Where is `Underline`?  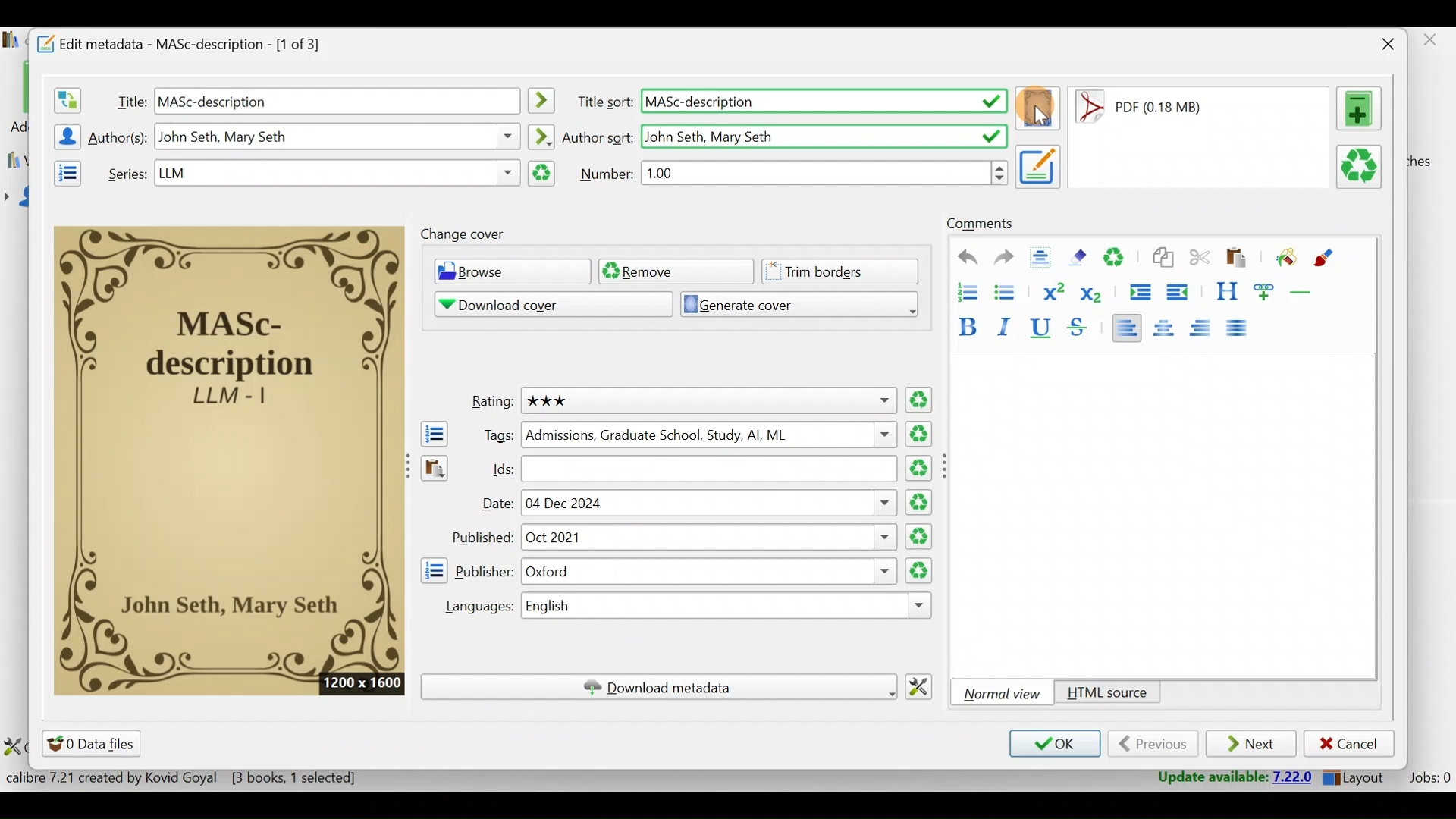
Underline is located at coordinates (1045, 329).